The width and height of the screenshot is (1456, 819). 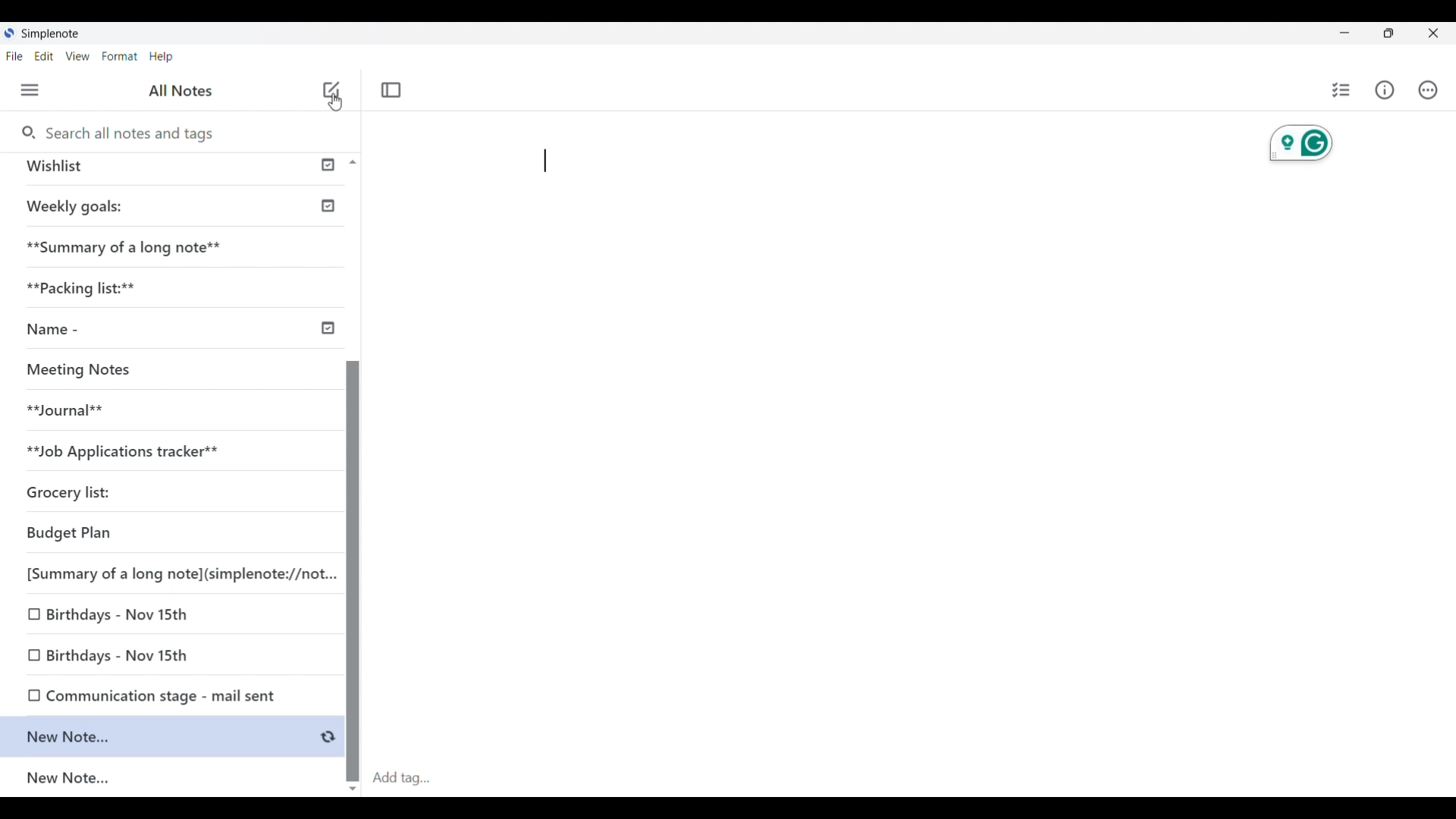 What do you see at coordinates (158, 736) in the screenshot?
I see `New note added and highlighted` at bounding box center [158, 736].